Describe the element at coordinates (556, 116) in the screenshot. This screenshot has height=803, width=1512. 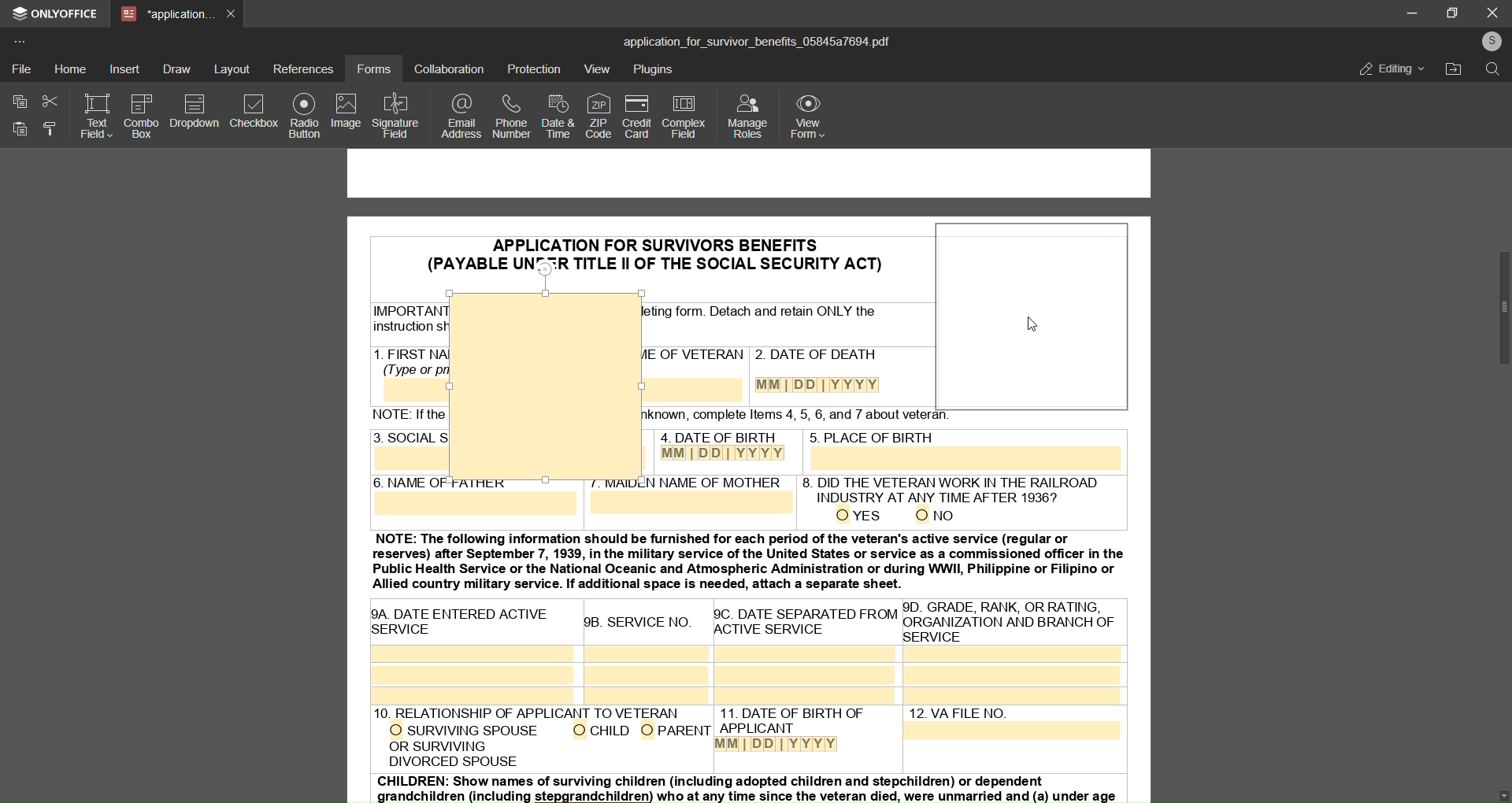
I see `date and time` at that location.